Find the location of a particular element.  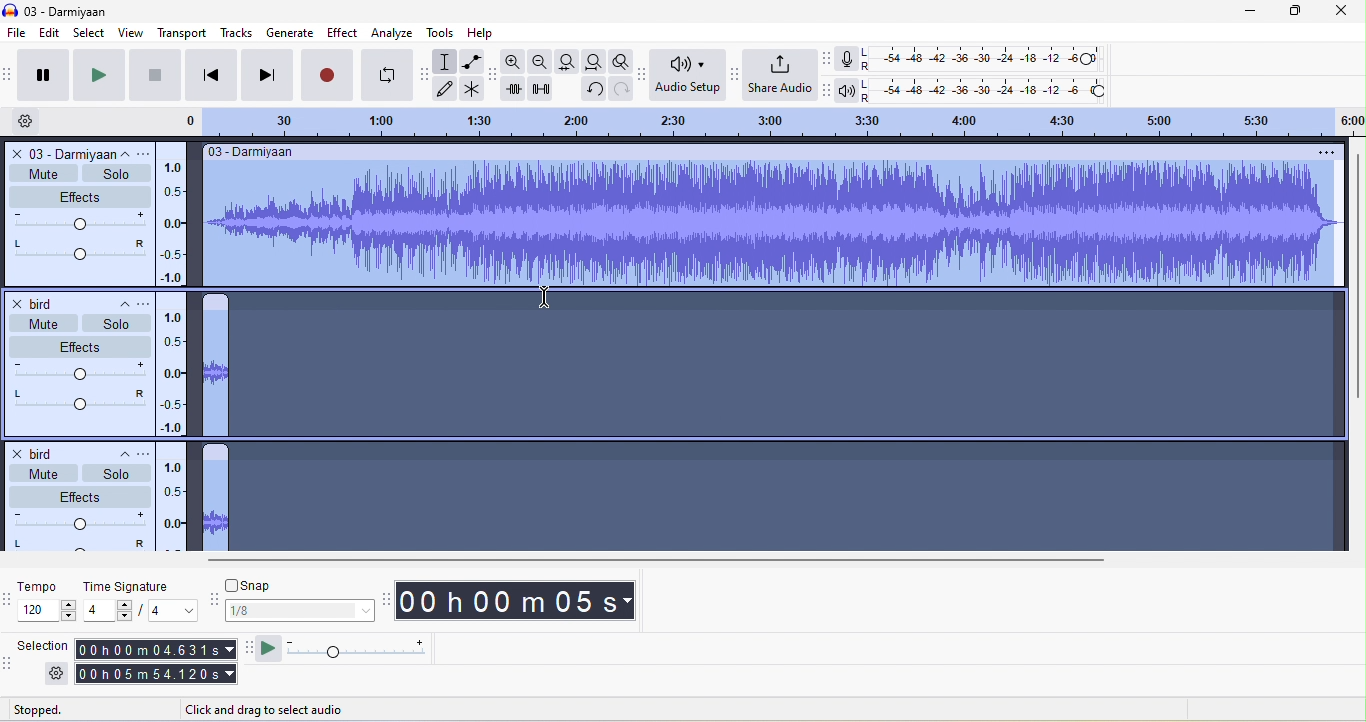

Align selected tracks by their start times appear is located at coordinates (767, 355).